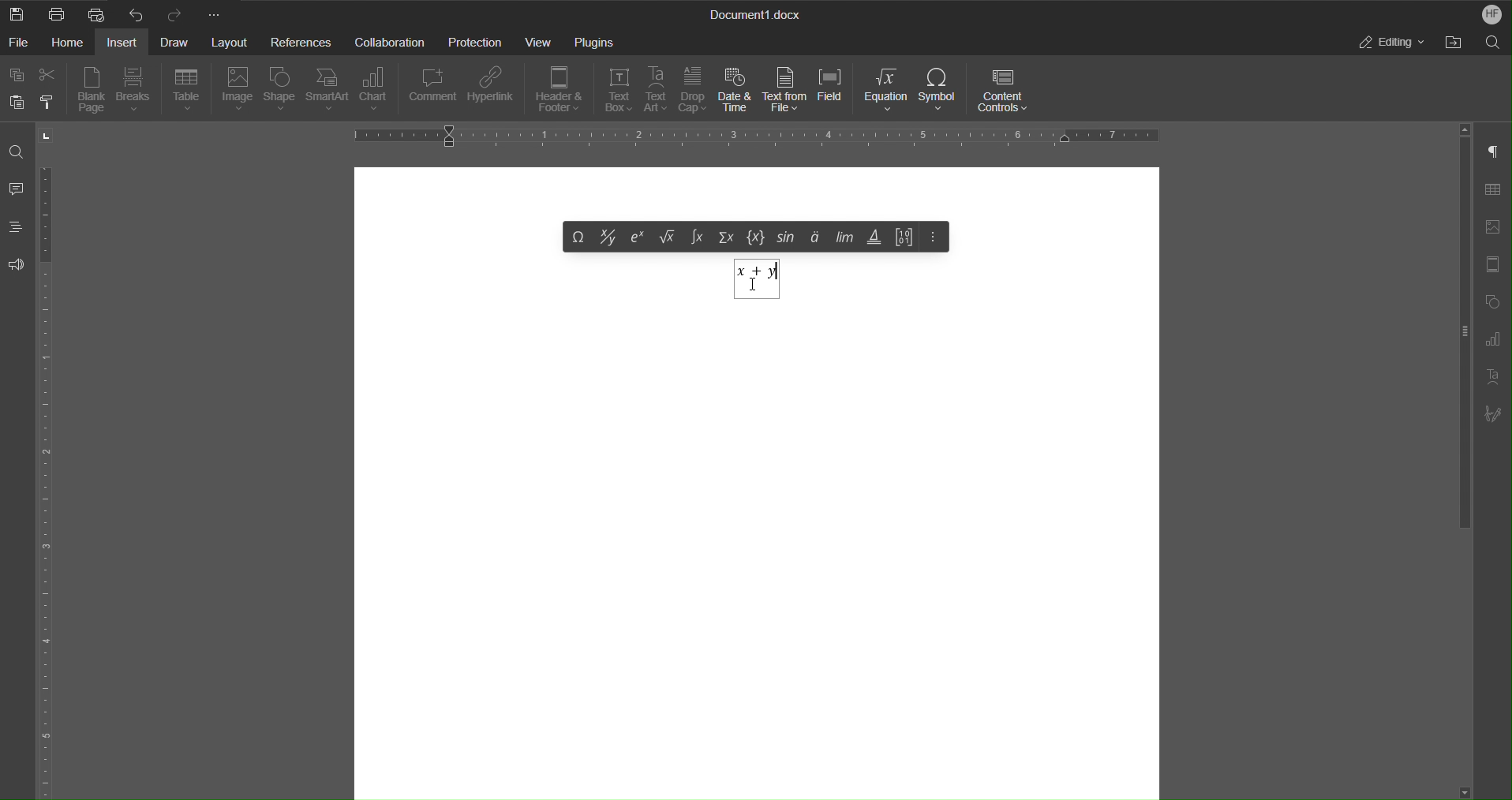  What do you see at coordinates (576, 237) in the screenshot?
I see `Symbol` at bounding box center [576, 237].